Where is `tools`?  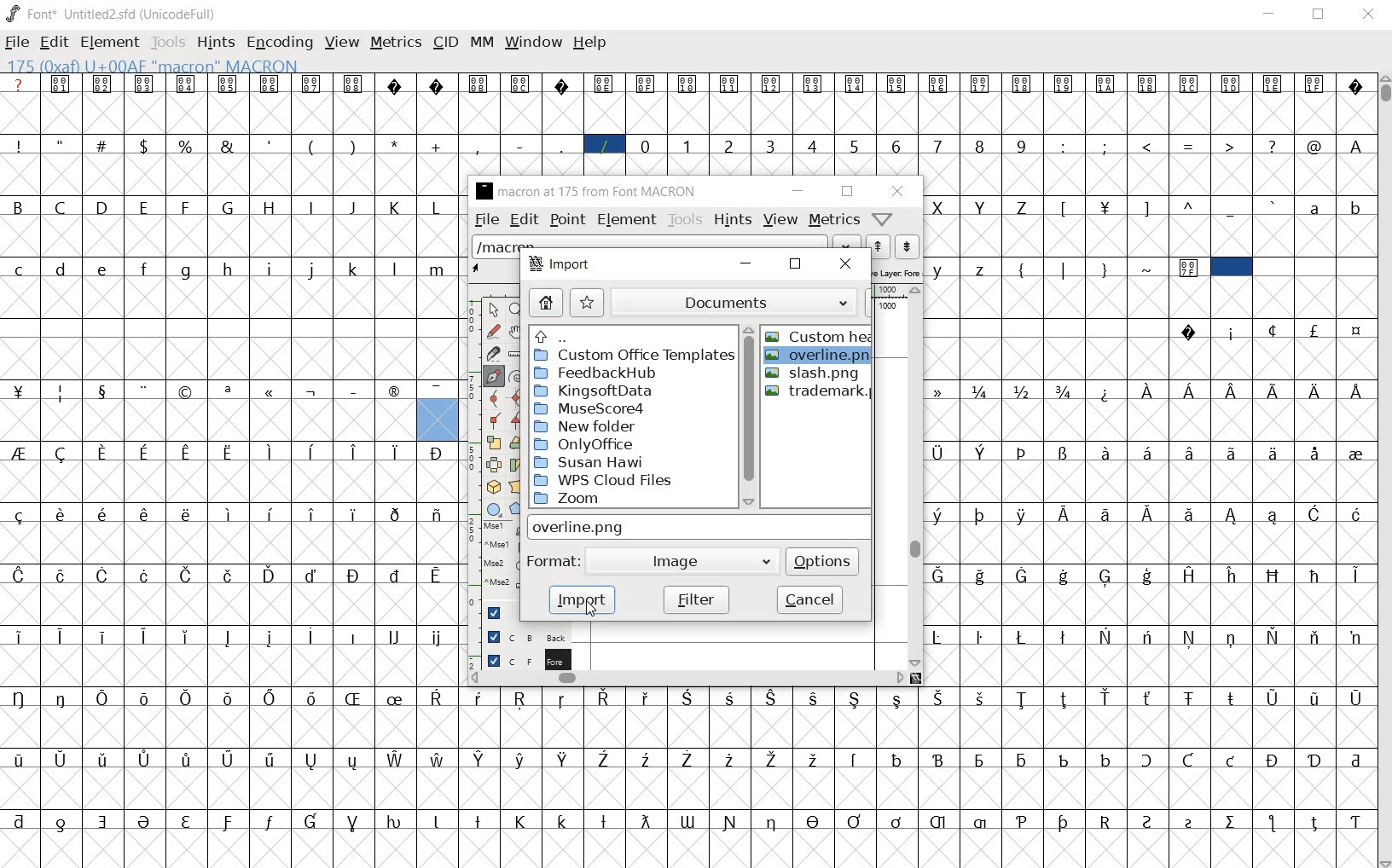
tools is located at coordinates (685, 217).